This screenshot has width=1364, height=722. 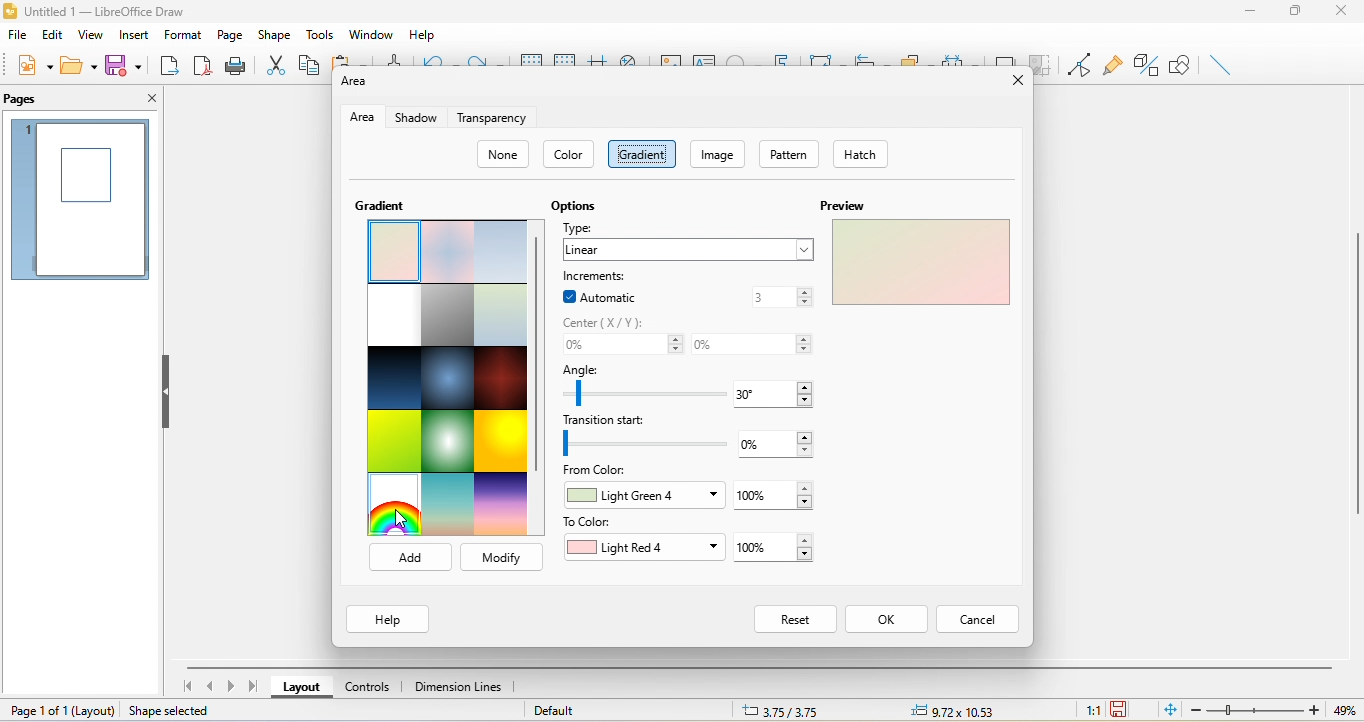 What do you see at coordinates (644, 495) in the screenshot?
I see `light green 4` at bounding box center [644, 495].